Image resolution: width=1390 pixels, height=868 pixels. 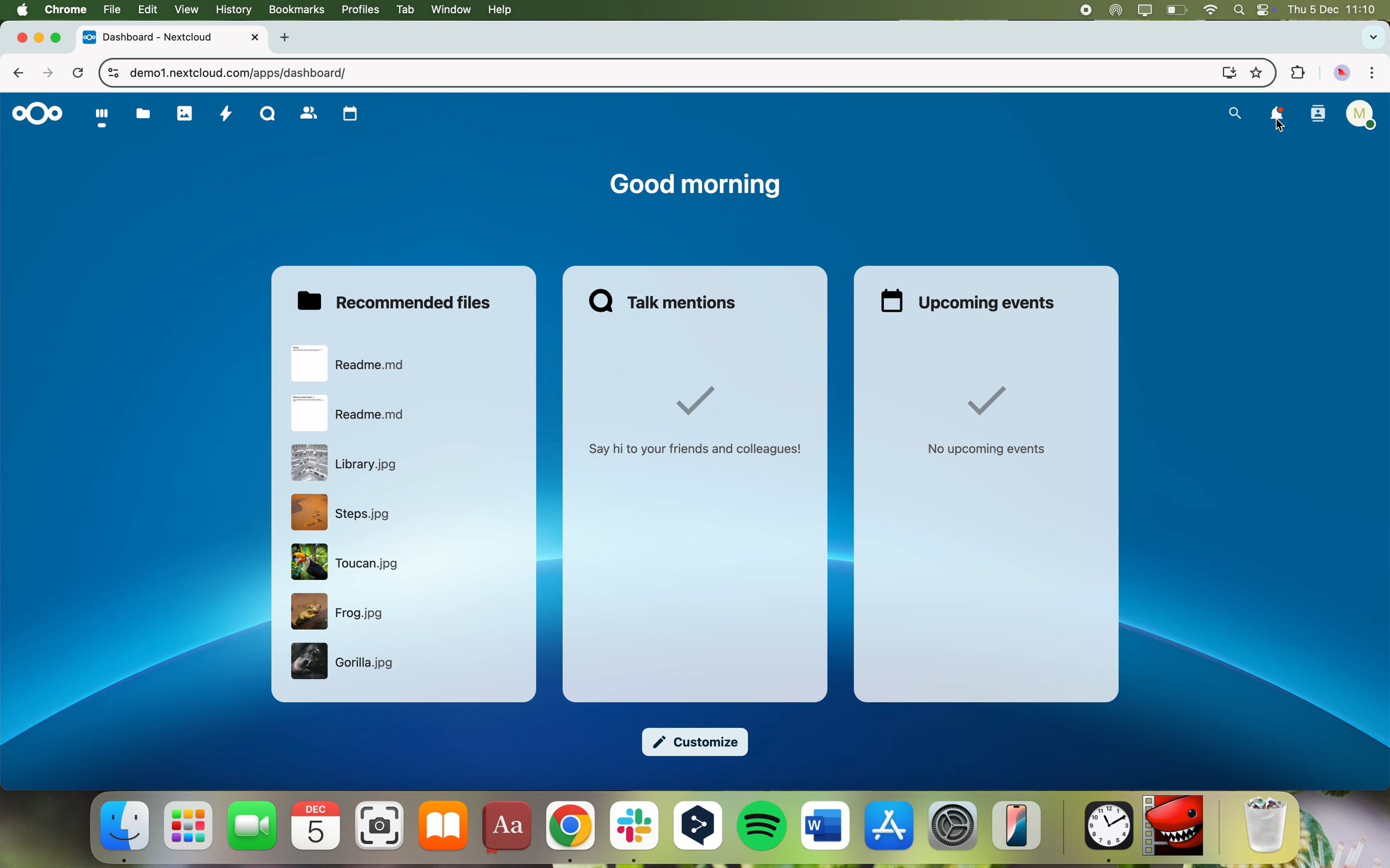 I want to click on navigate foward, so click(x=49, y=72).